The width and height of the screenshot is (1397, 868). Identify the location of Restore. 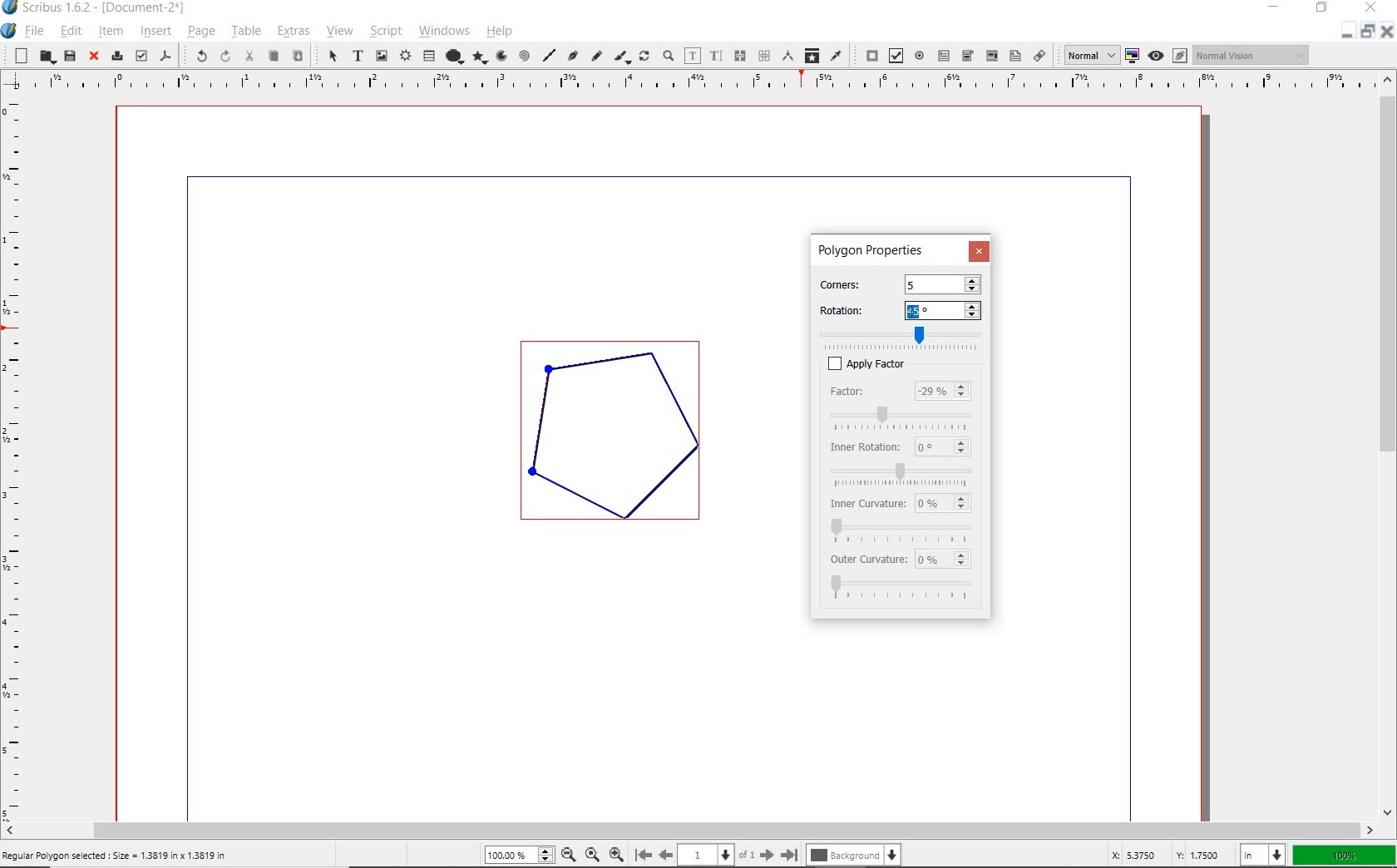
(1366, 33).